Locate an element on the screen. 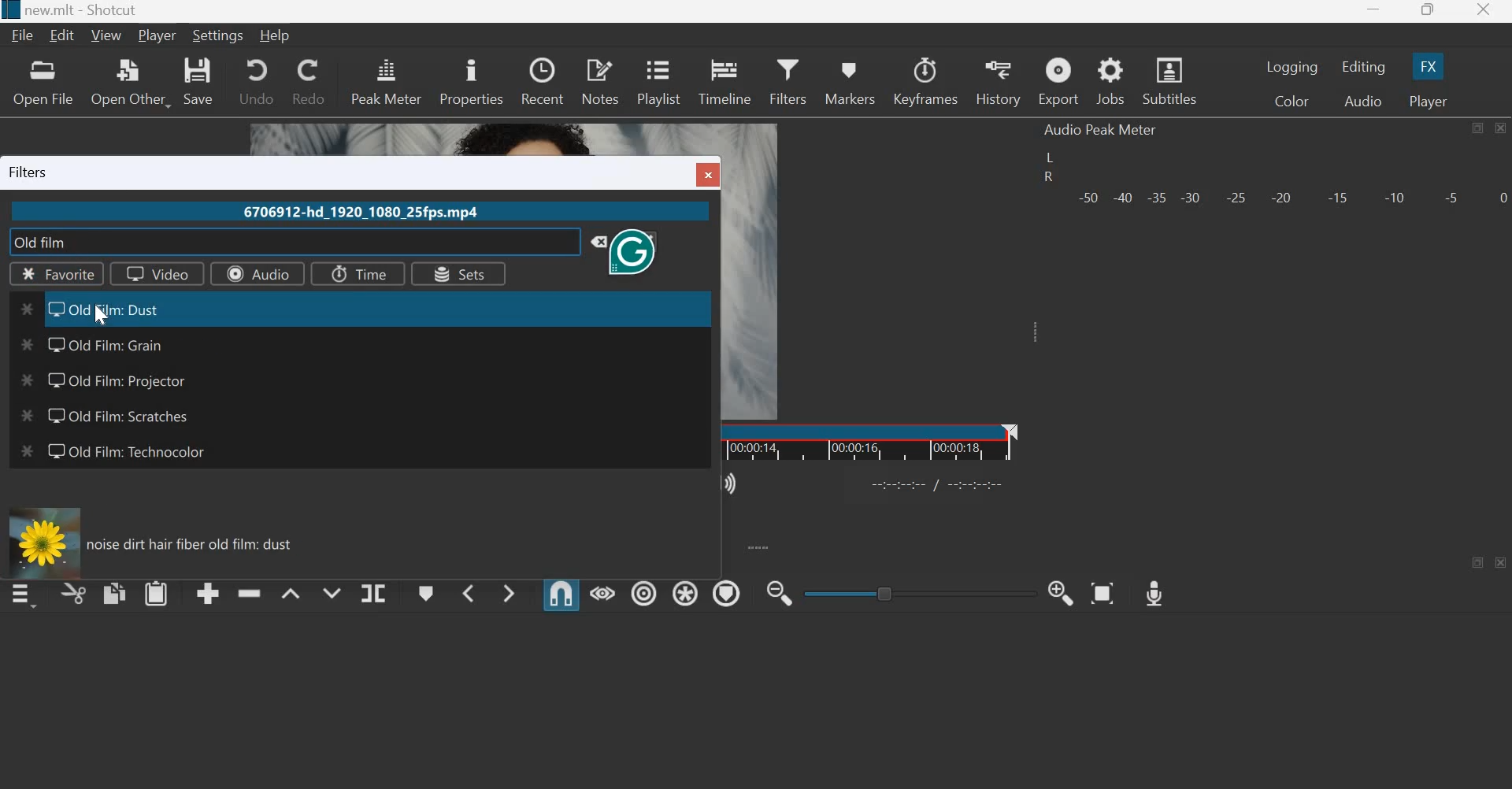 The height and width of the screenshot is (789, 1512). close is located at coordinates (1499, 128).